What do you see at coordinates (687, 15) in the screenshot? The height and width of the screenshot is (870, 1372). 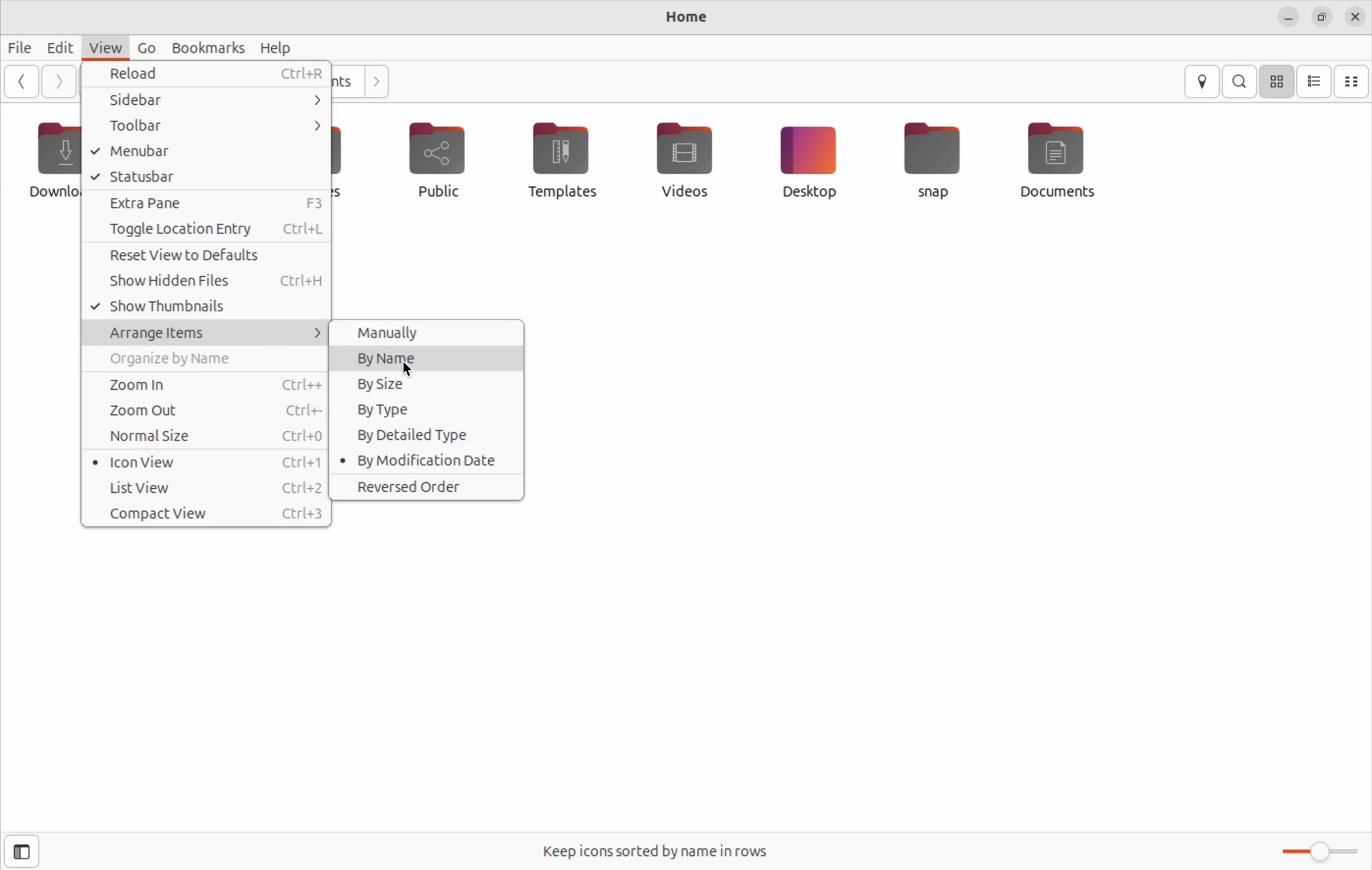 I see `Home` at bounding box center [687, 15].